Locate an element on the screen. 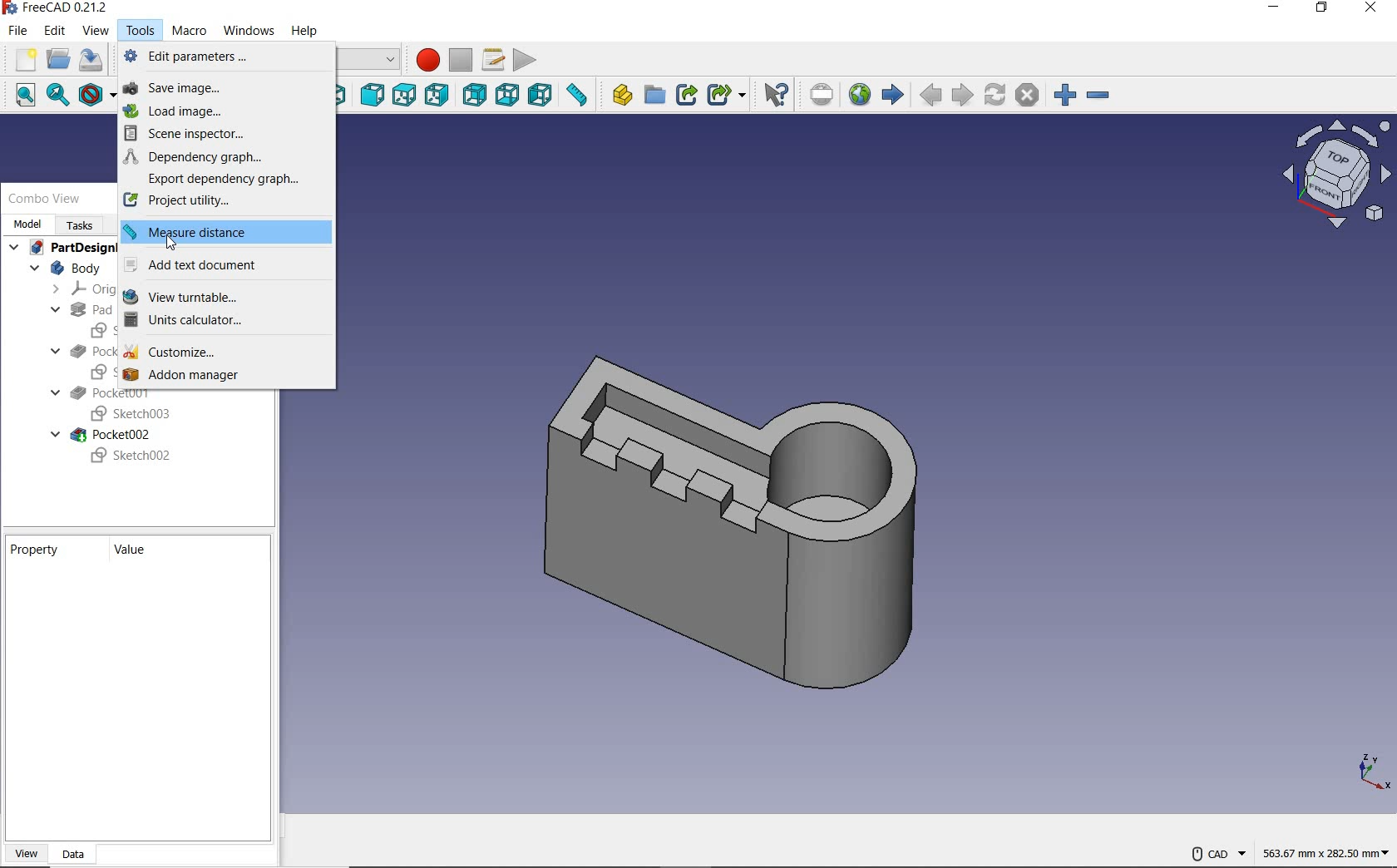  create group is located at coordinates (654, 96).